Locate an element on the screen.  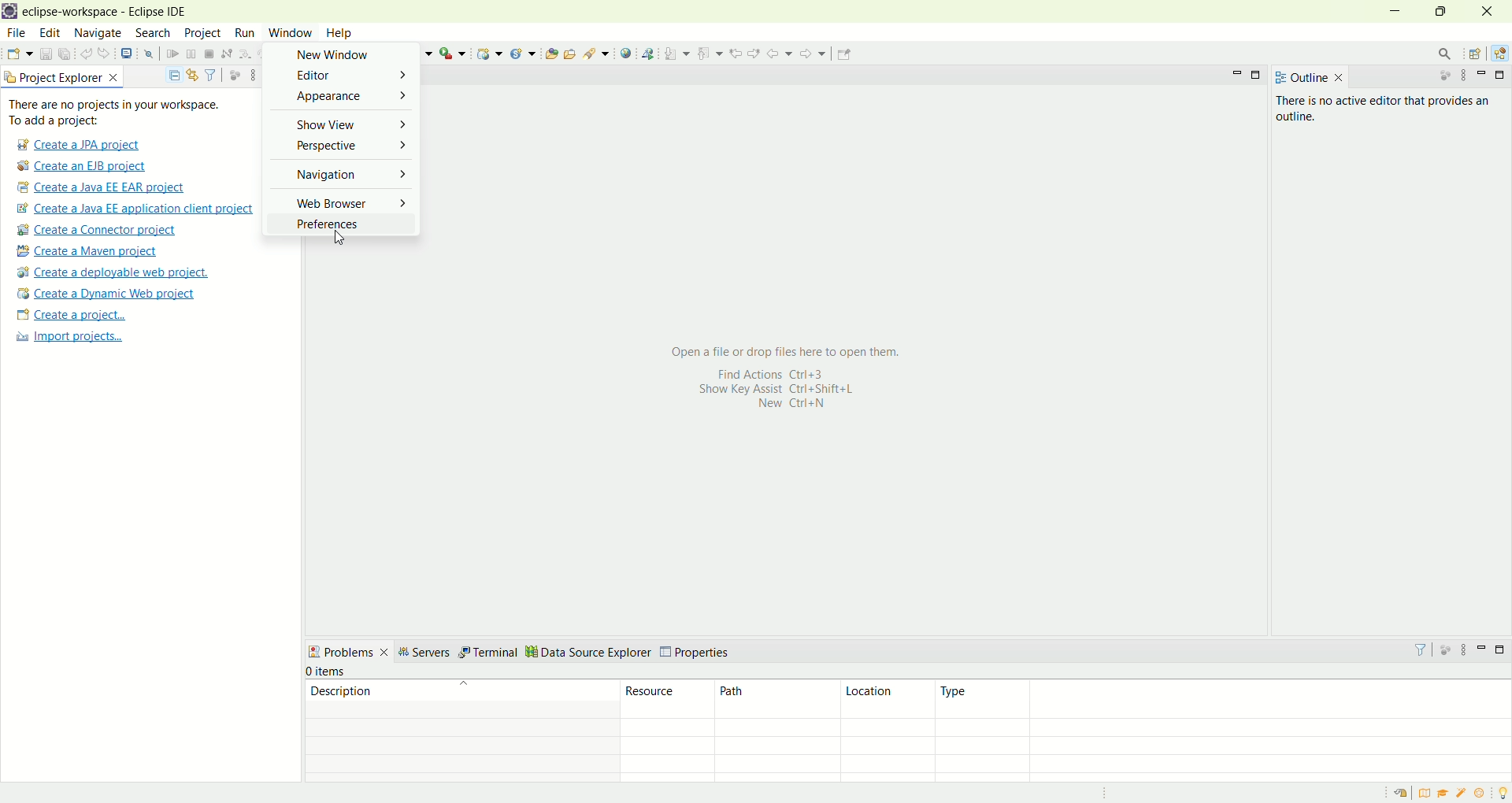
There is no active editor that provides an outline is located at coordinates (1384, 109).